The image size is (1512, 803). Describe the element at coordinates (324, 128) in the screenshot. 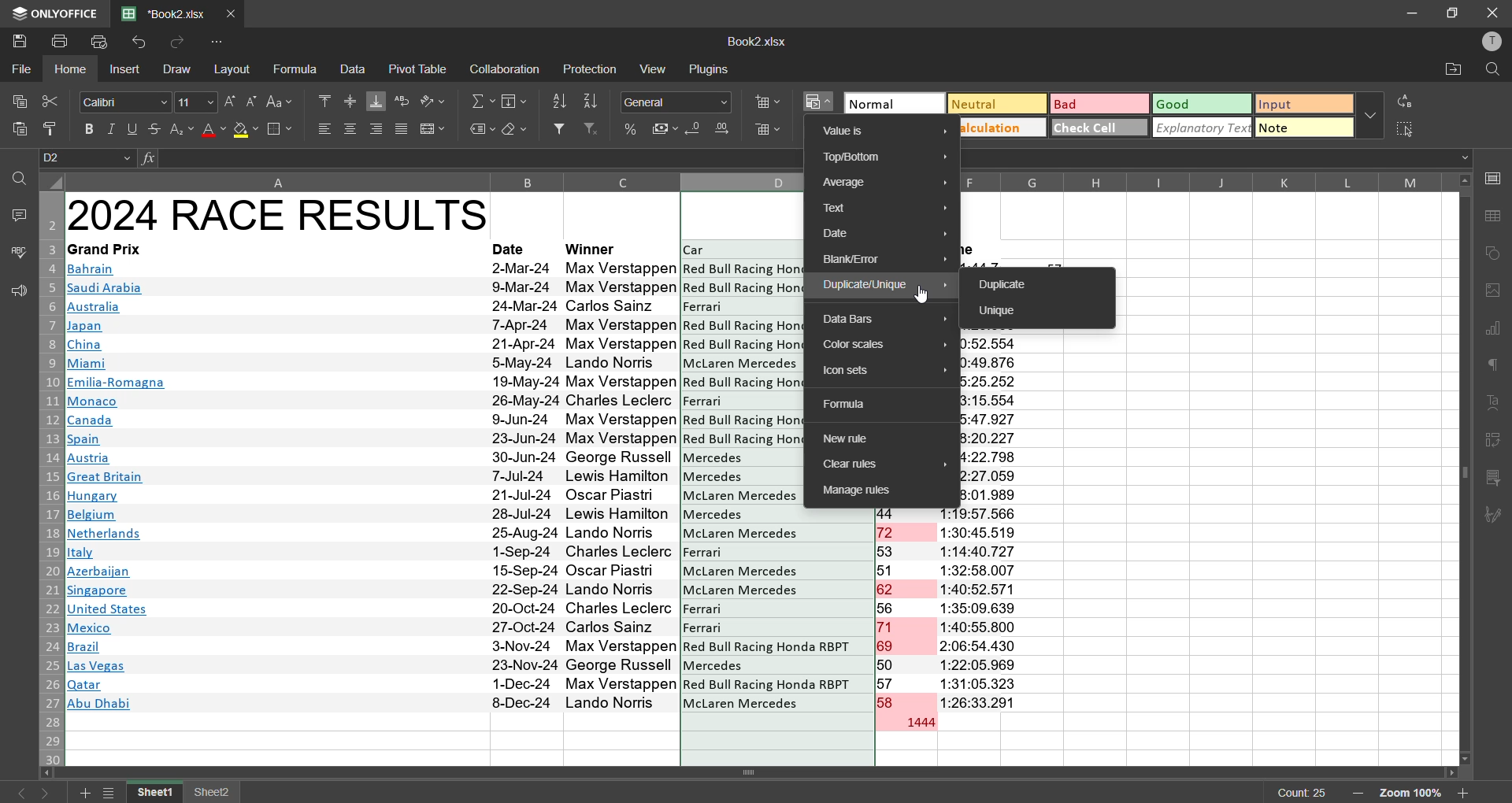

I see `align left` at that location.